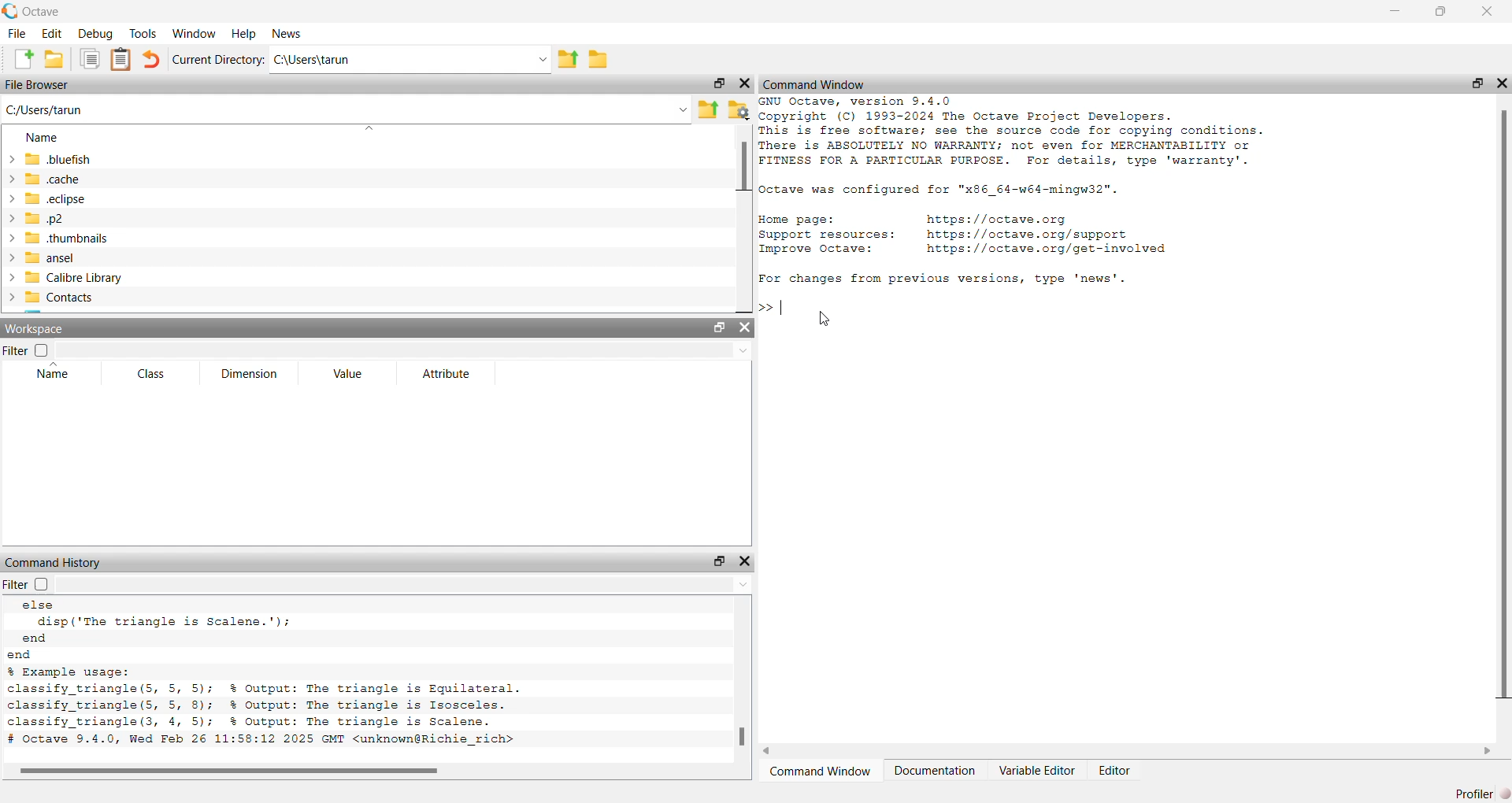 The image size is (1512, 803). What do you see at coordinates (151, 374) in the screenshot?
I see `class` at bounding box center [151, 374].